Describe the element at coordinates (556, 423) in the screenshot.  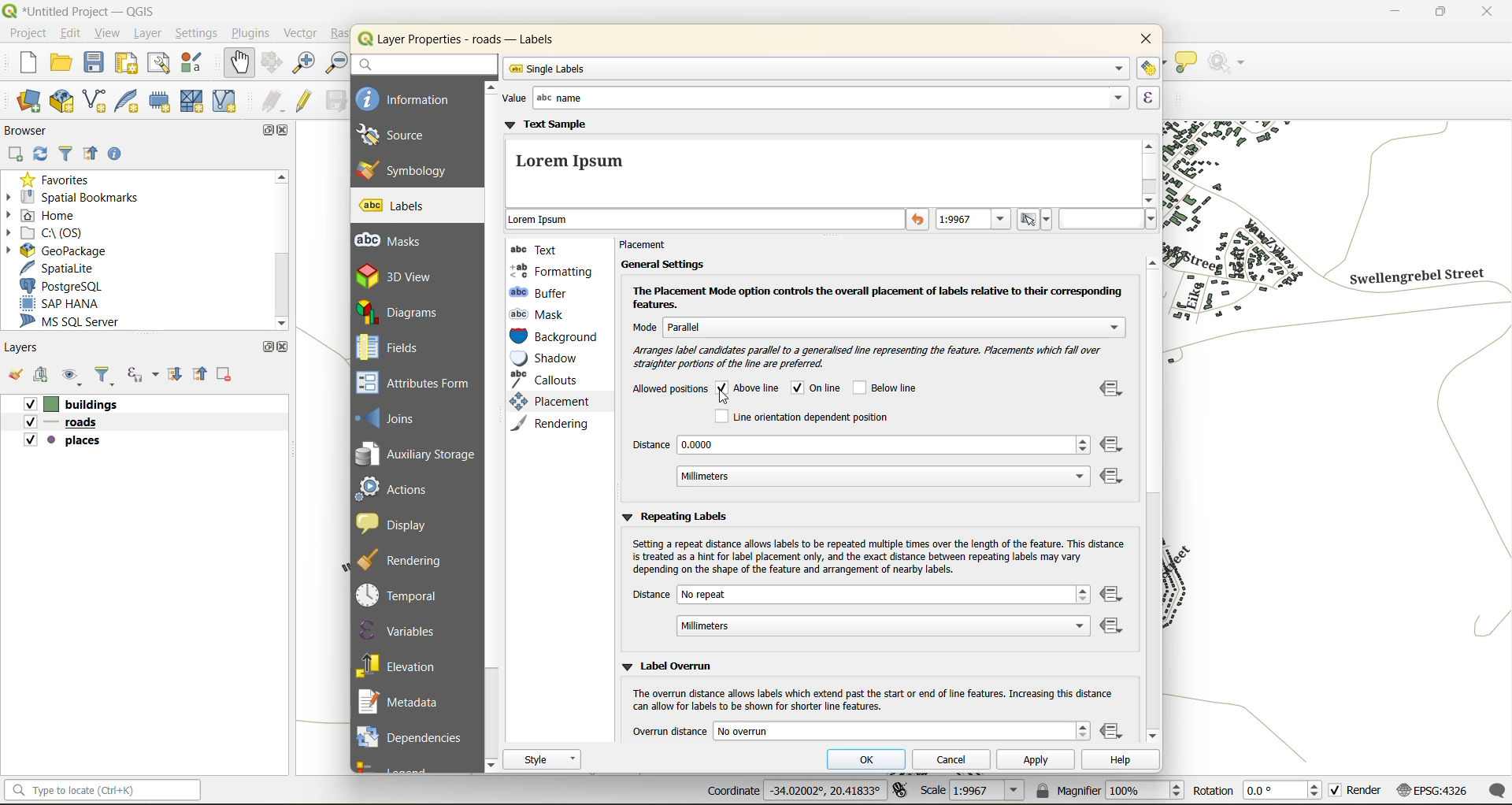
I see `rendering` at that location.